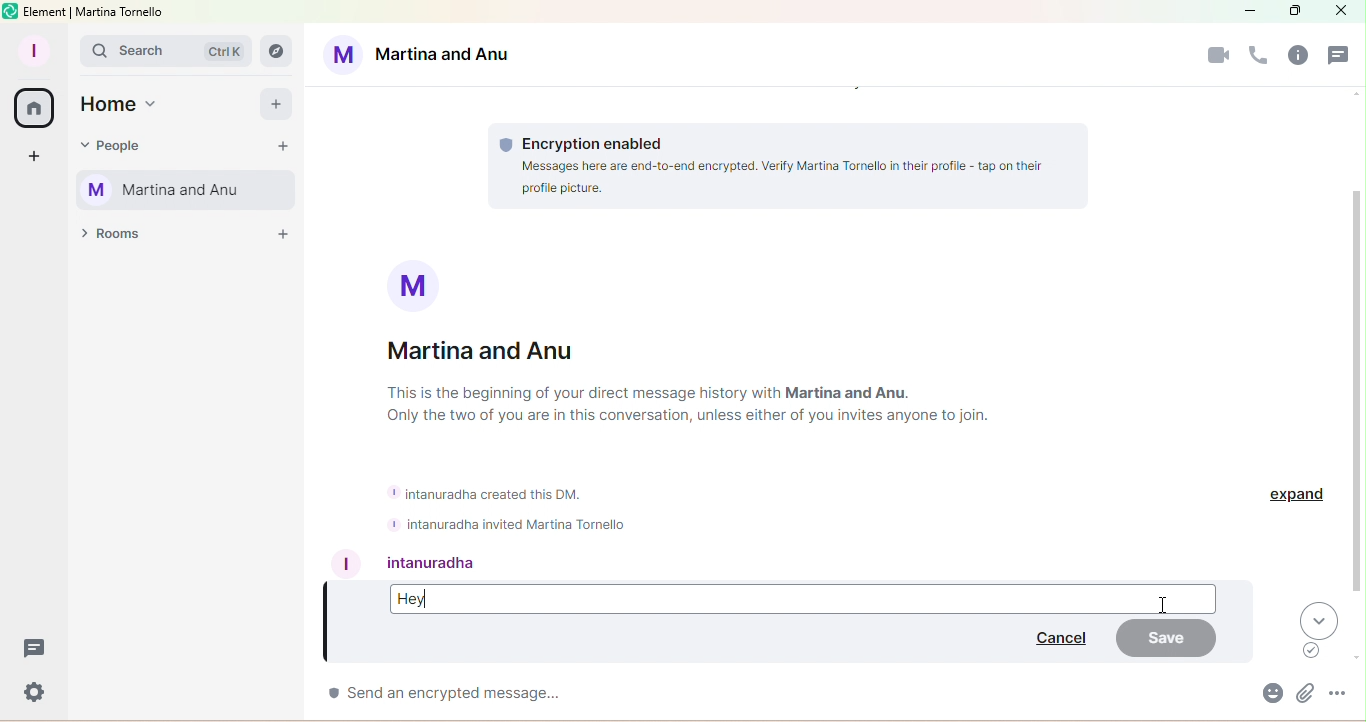 The width and height of the screenshot is (1366, 722). I want to click on Cancel, so click(1056, 641).